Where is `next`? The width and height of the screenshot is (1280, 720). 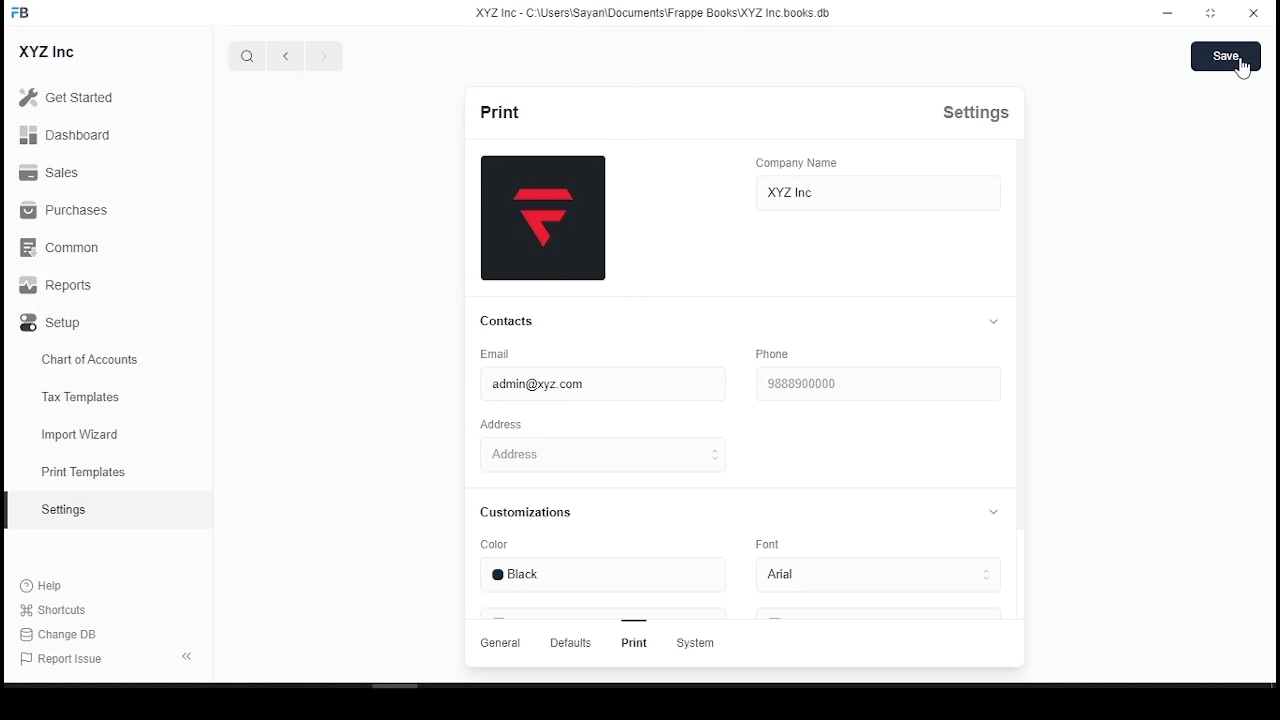 next is located at coordinates (323, 57).